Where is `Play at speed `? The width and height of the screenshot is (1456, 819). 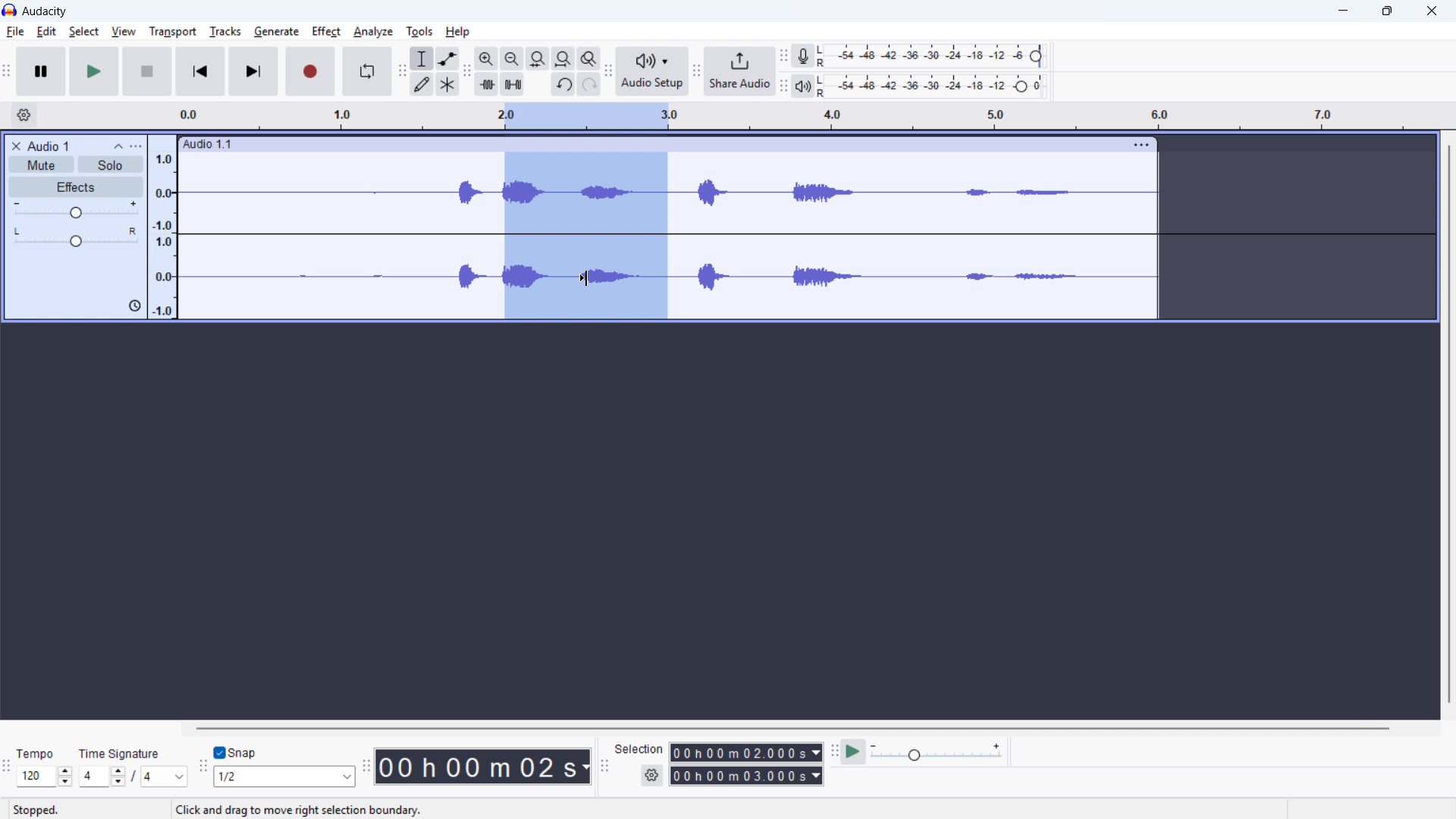
Play at speed  is located at coordinates (854, 752).